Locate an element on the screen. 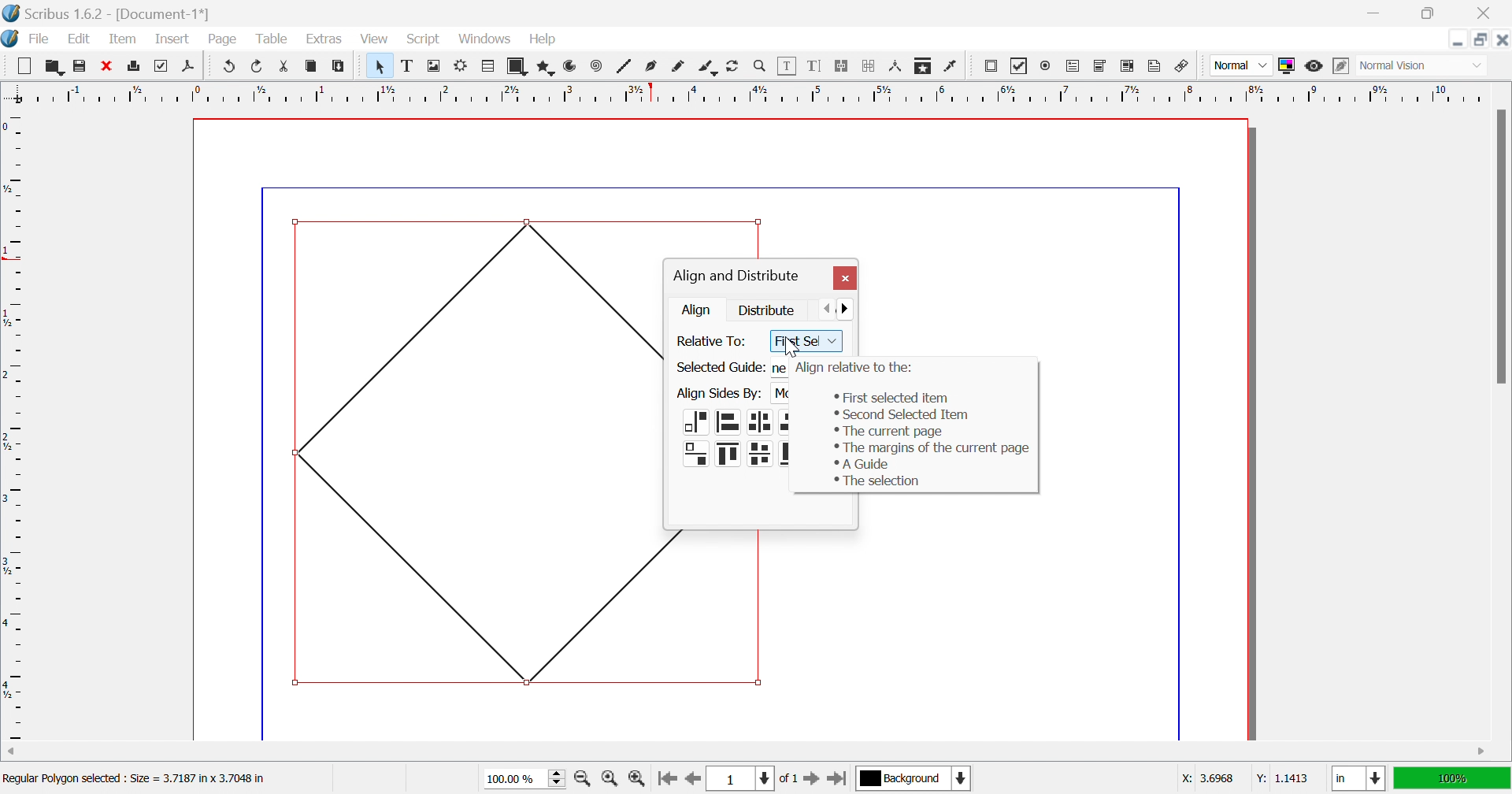  Edit contents of frame is located at coordinates (787, 64).